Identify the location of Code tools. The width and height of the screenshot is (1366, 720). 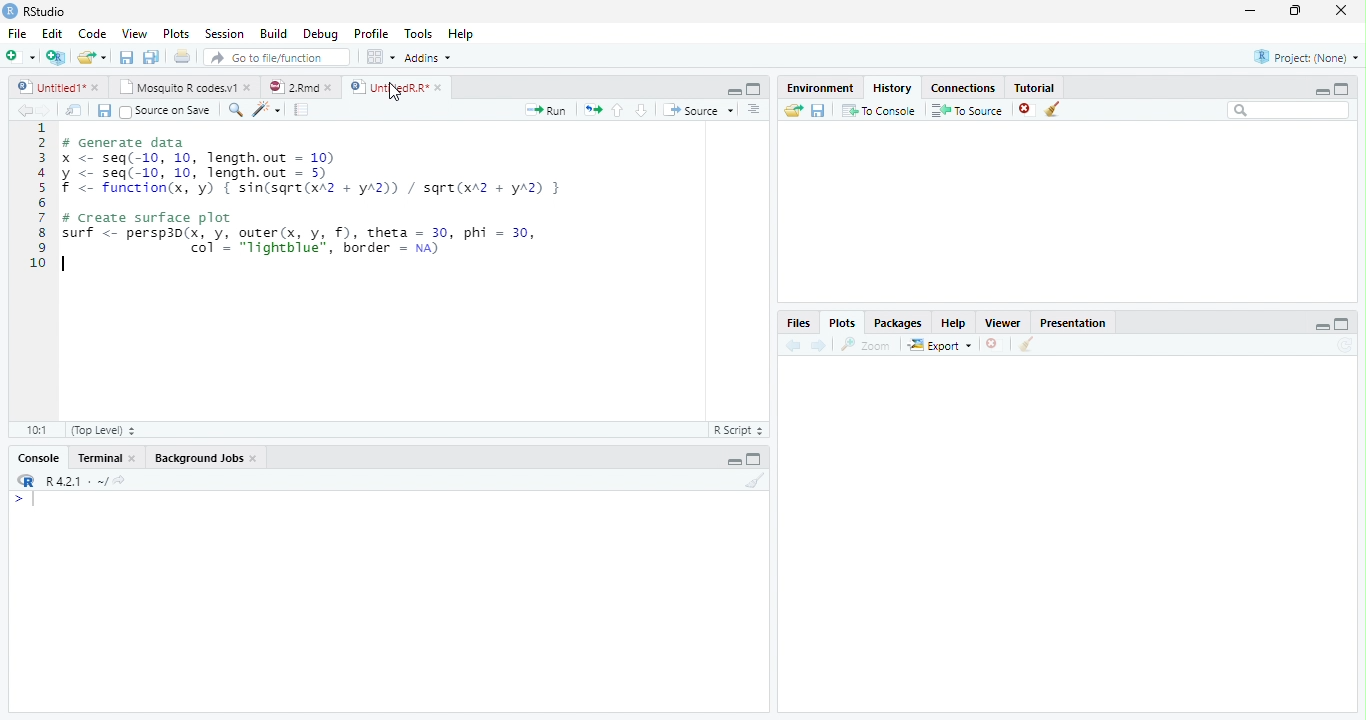
(267, 109).